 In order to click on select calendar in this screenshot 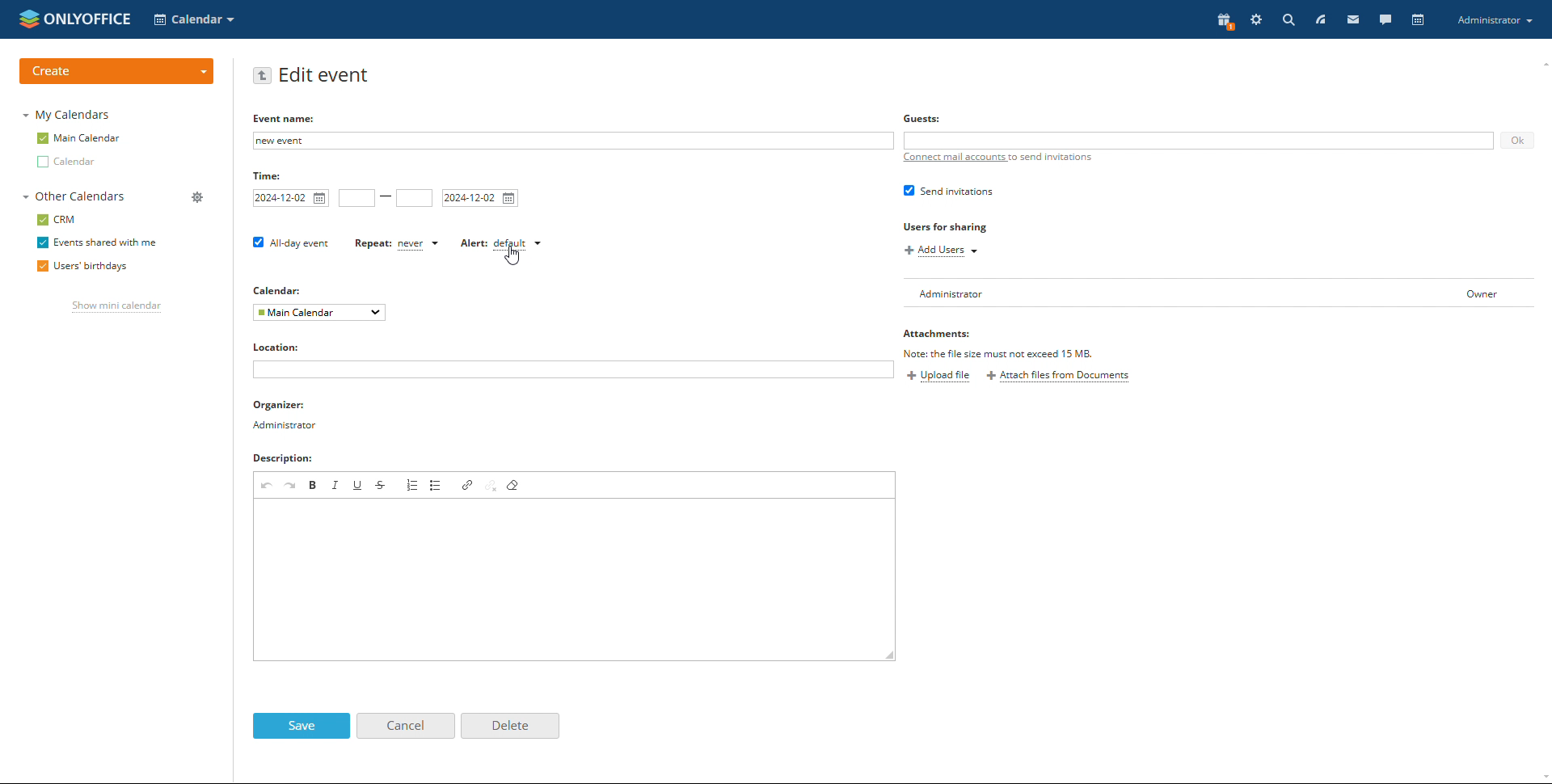, I will do `click(319, 313)`.